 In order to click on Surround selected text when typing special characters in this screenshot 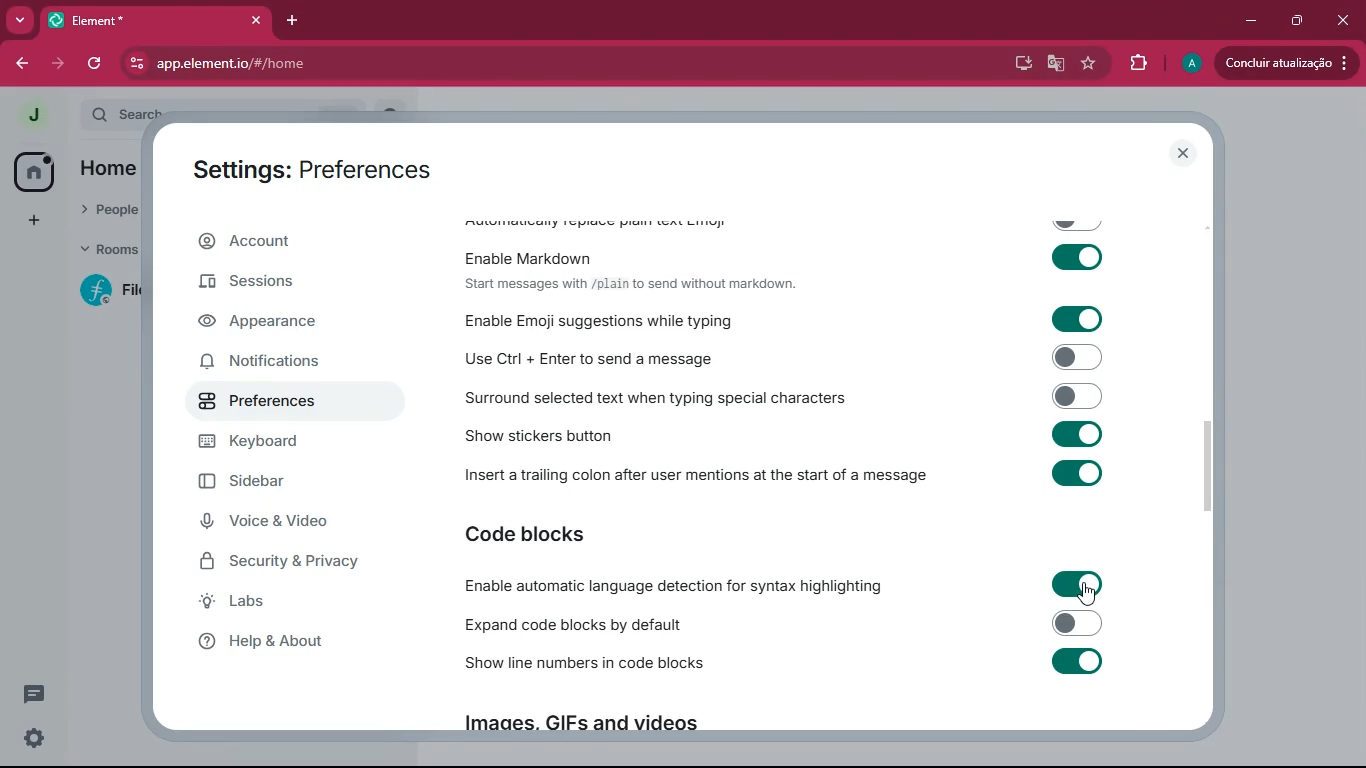, I will do `click(780, 399)`.